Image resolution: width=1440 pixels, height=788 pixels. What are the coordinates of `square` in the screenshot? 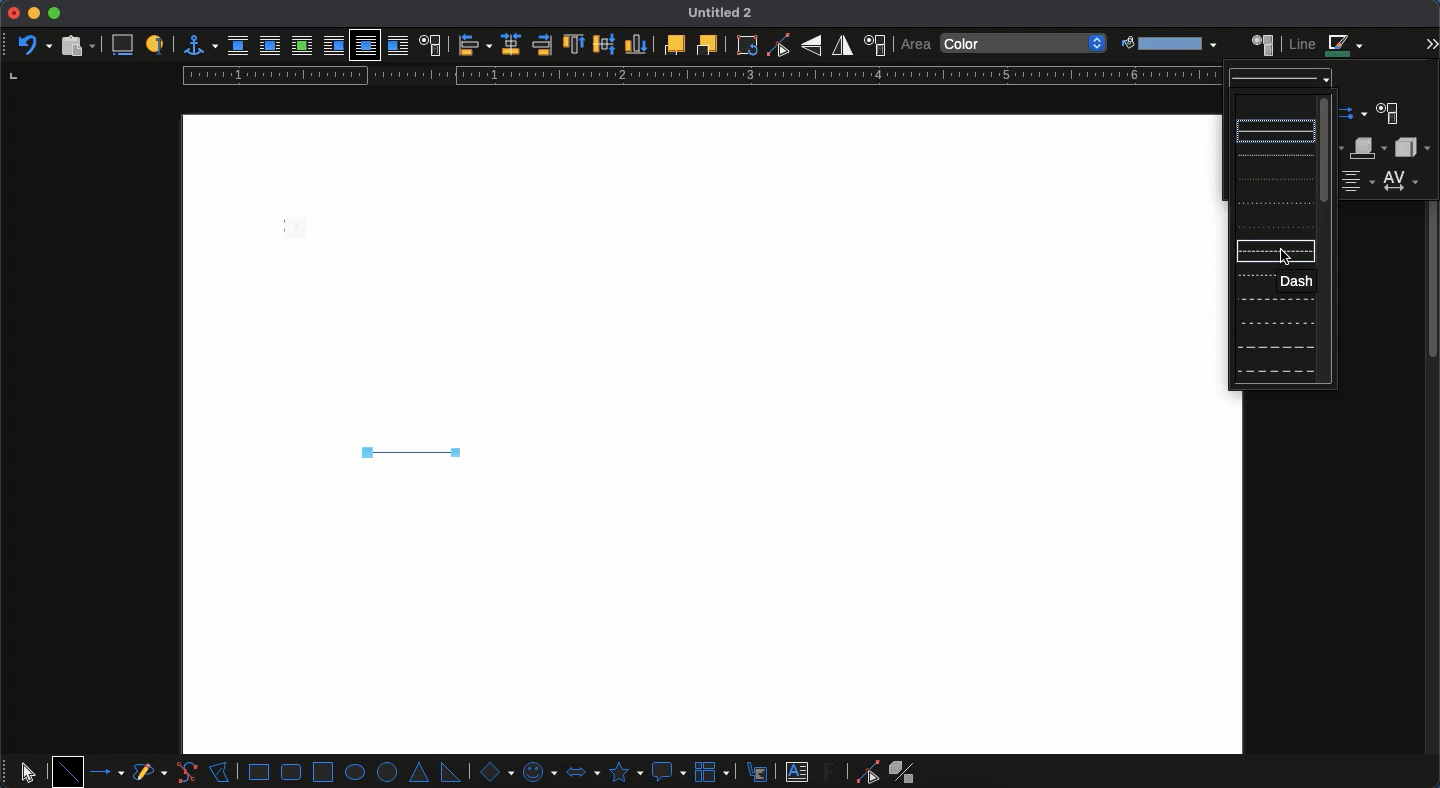 It's located at (323, 770).